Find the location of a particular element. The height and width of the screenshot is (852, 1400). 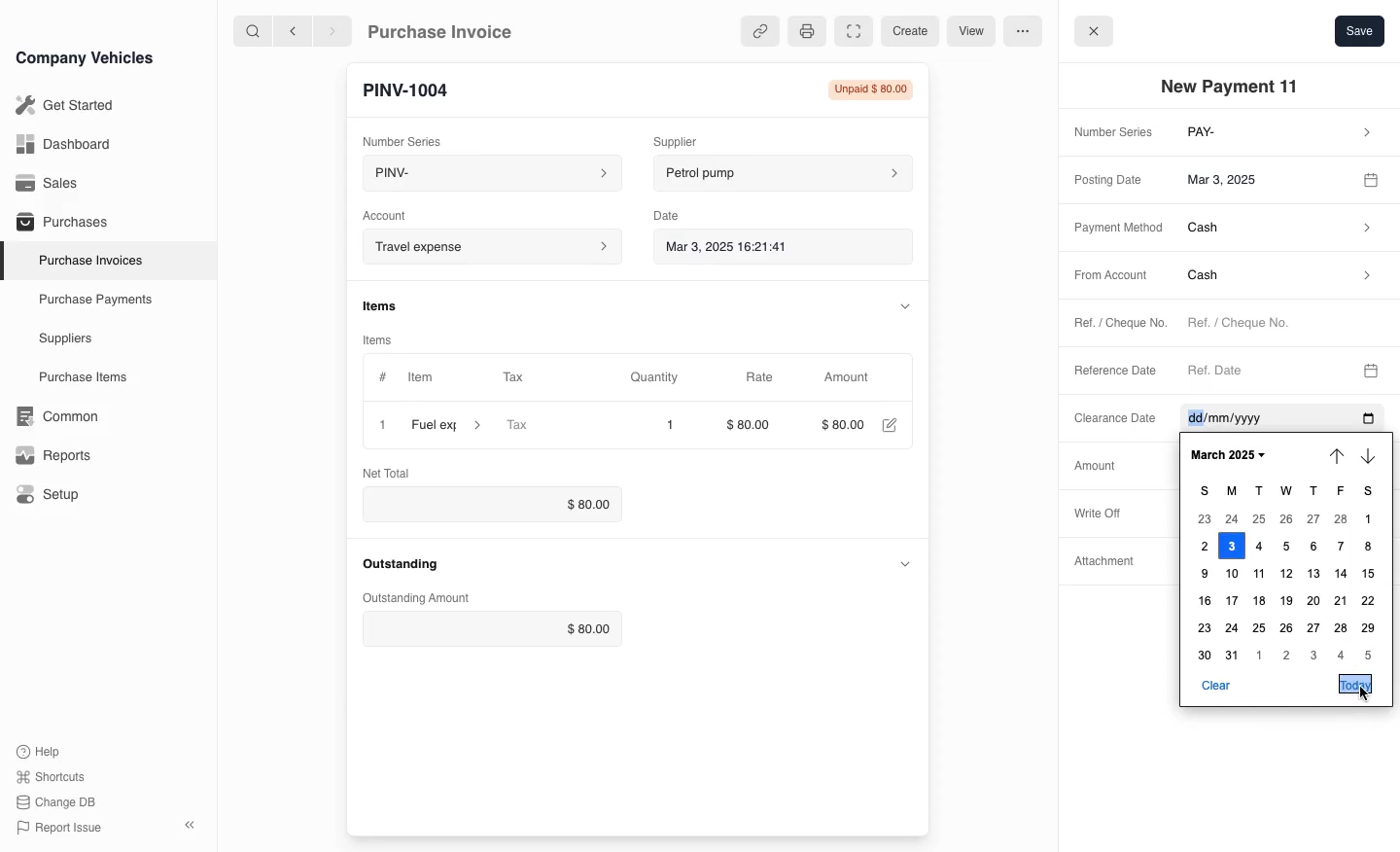

Purchases is located at coordinates (57, 224).